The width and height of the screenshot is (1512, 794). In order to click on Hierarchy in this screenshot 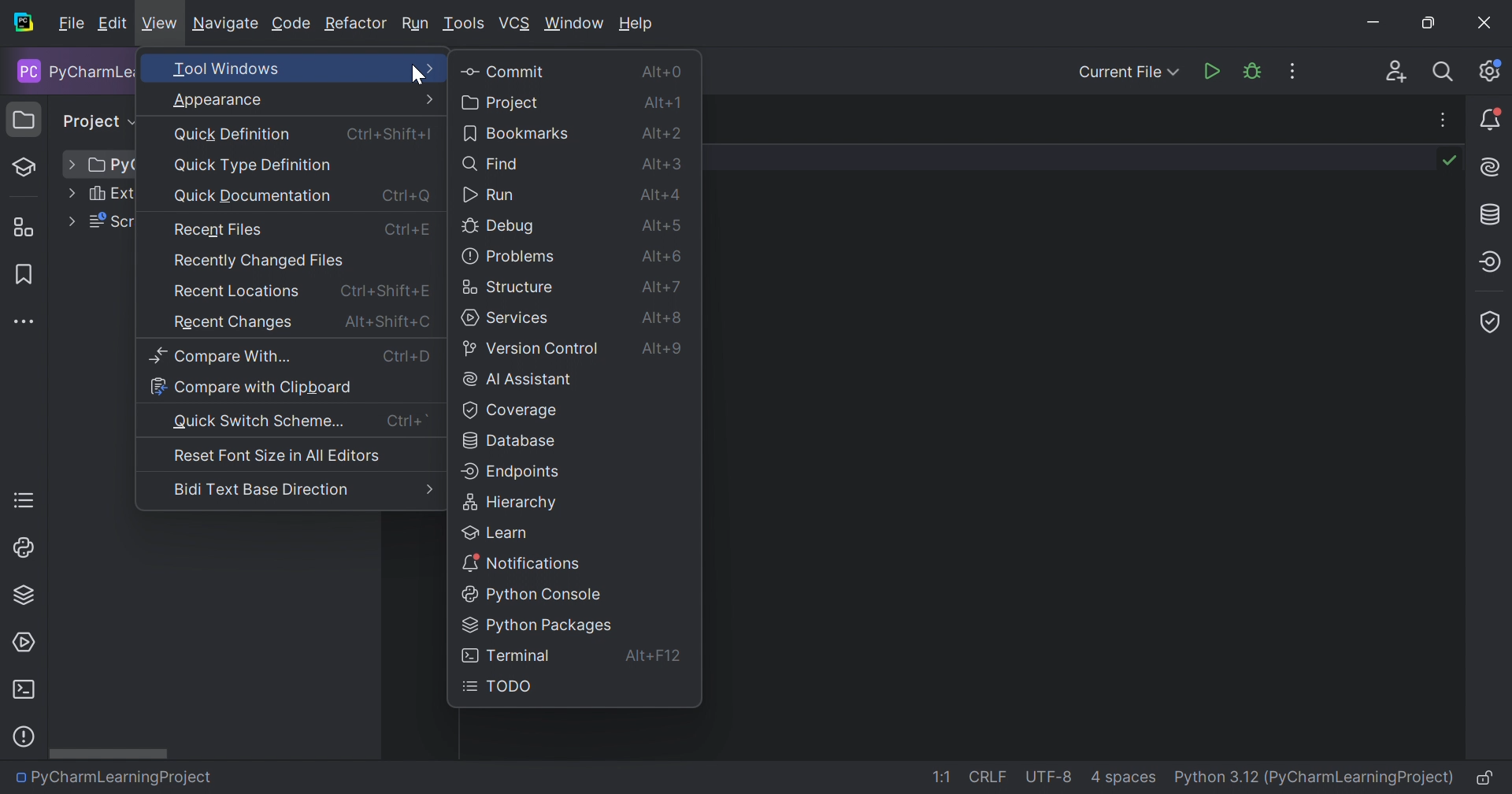, I will do `click(510, 501)`.